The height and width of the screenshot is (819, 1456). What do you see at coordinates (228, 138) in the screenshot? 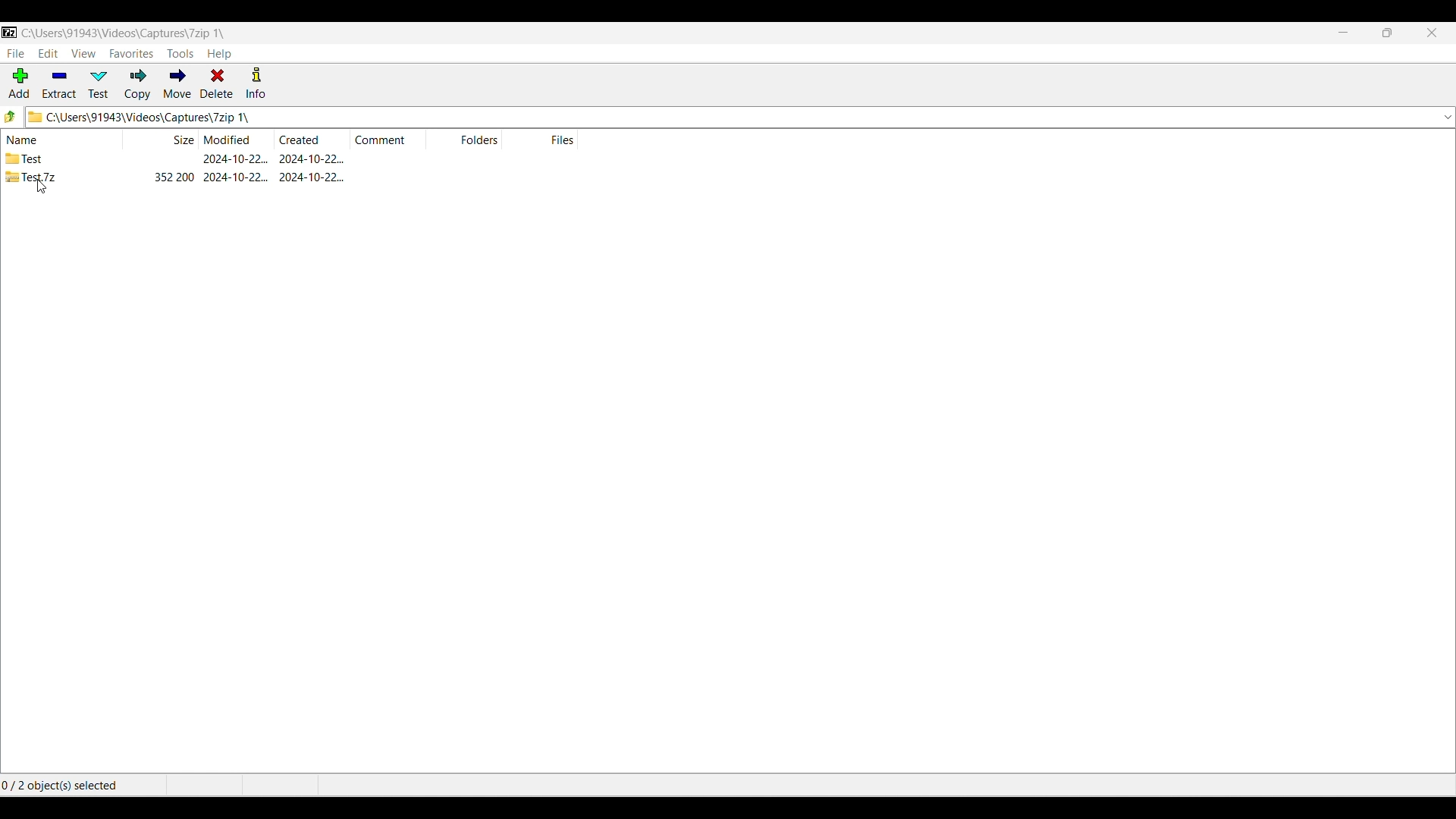
I see `File modified date column` at bounding box center [228, 138].